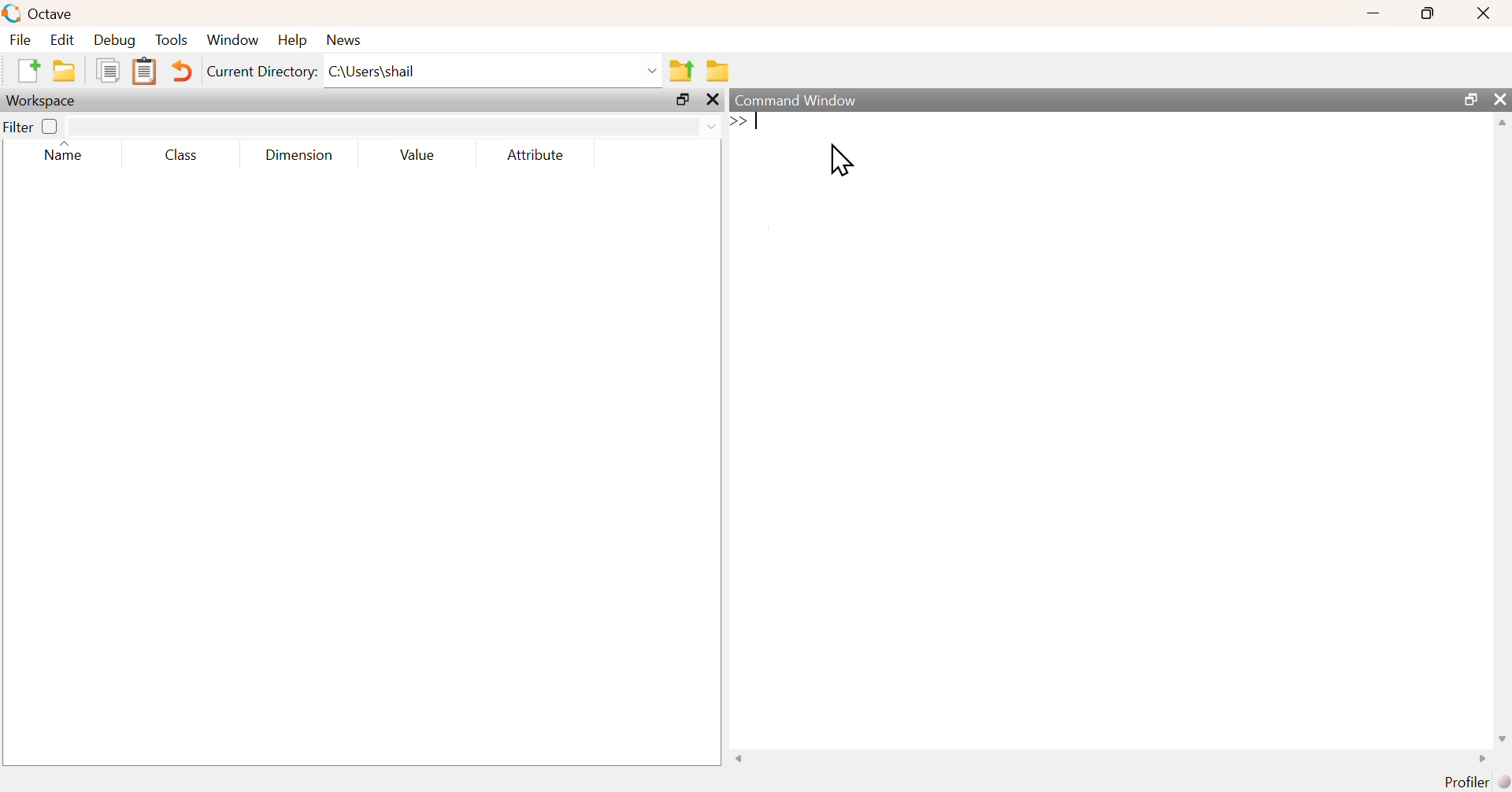  Describe the element at coordinates (54, 13) in the screenshot. I see `Octave` at that location.